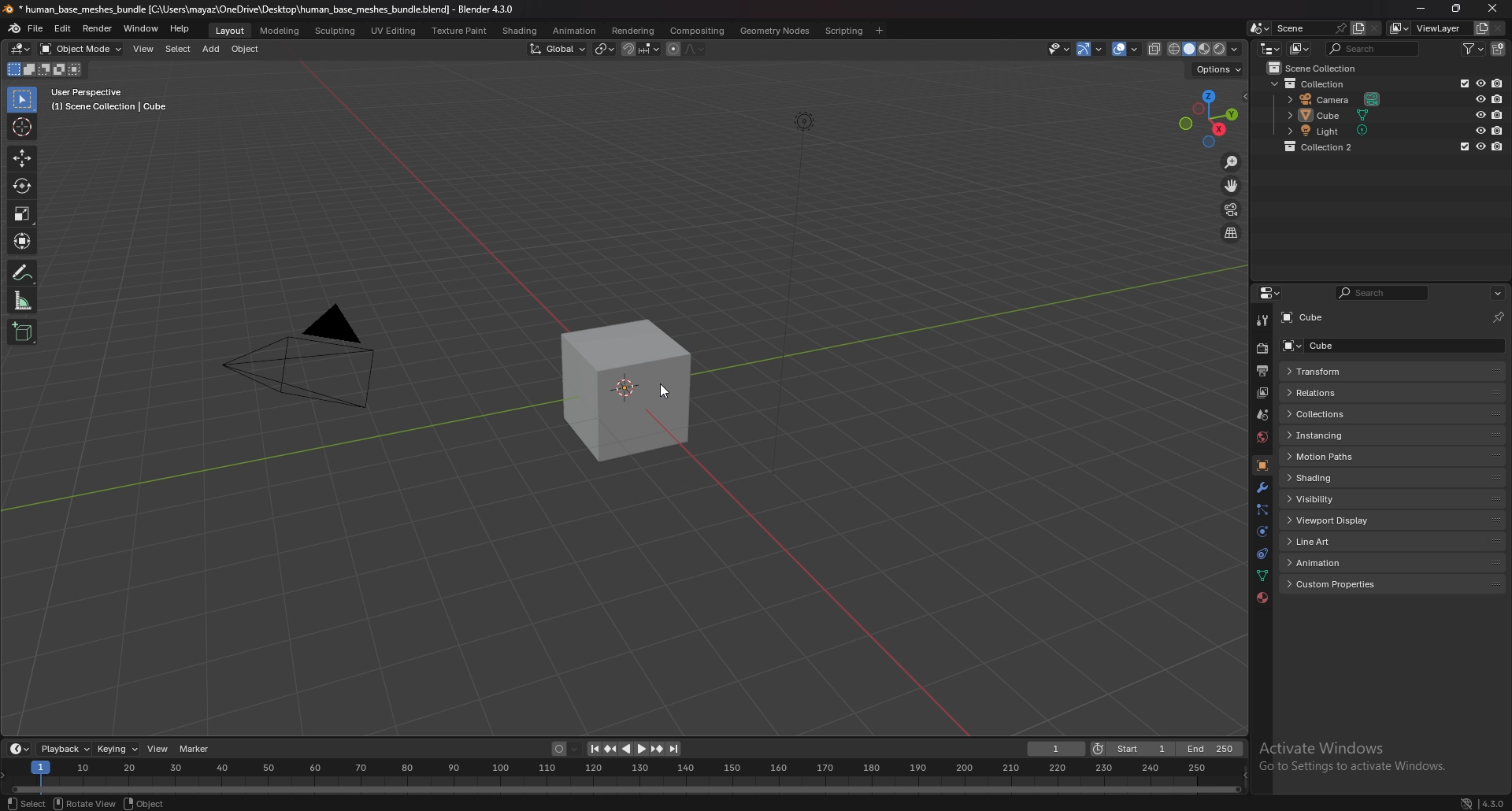 Image resolution: width=1512 pixels, height=811 pixels. Describe the element at coordinates (1210, 749) in the screenshot. I see `end` at that location.